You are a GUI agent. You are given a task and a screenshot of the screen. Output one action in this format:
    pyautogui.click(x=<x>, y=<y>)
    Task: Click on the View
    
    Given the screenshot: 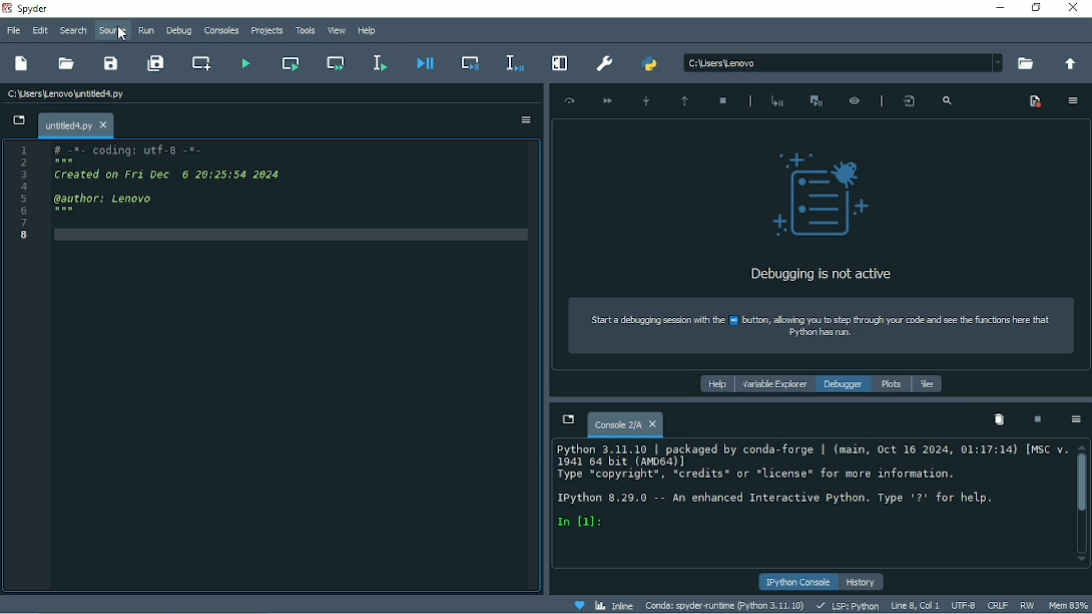 What is the action you would take?
    pyautogui.click(x=336, y=30)
    